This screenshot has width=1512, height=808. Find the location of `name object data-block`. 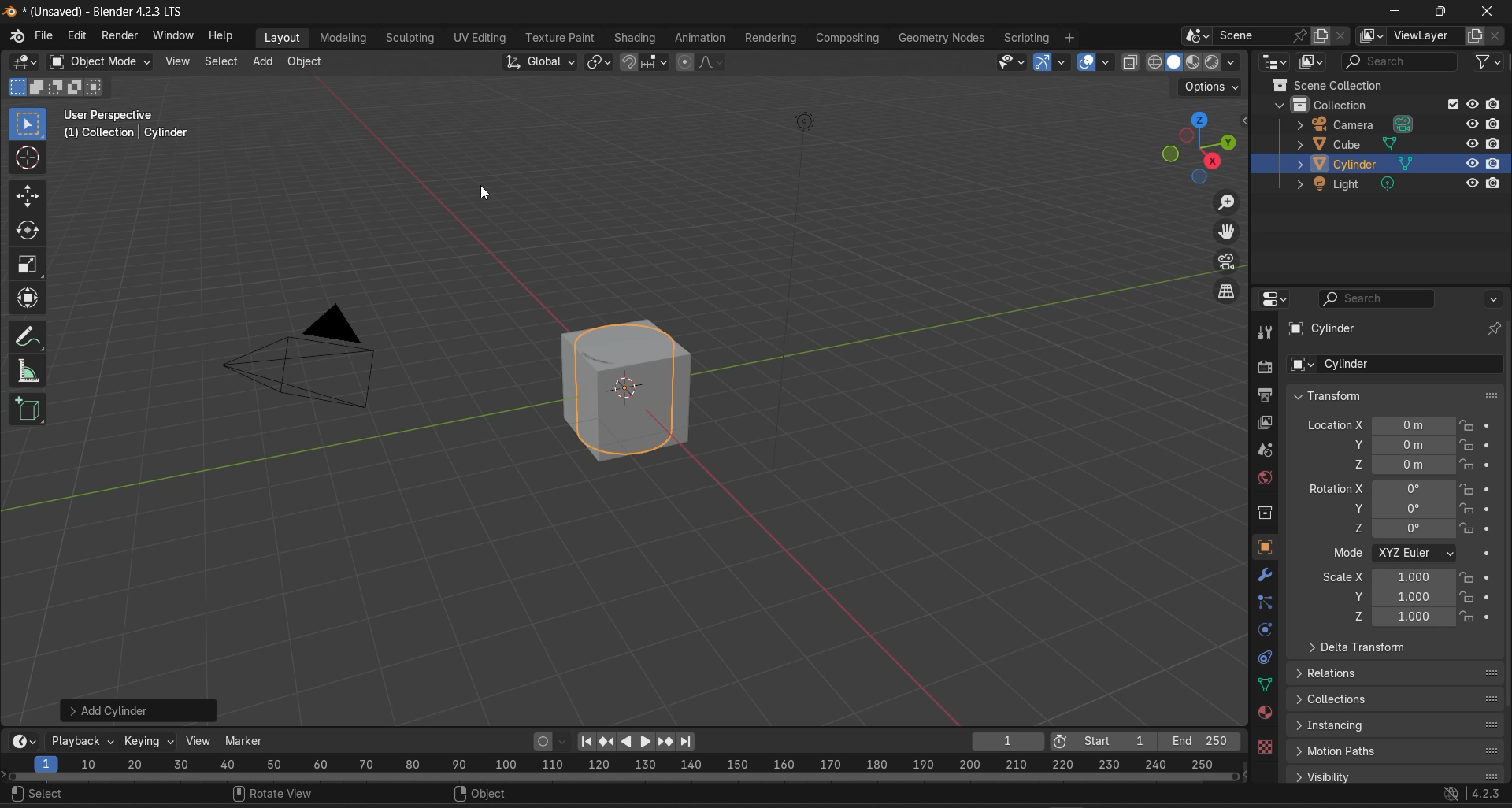

name object data-block is located at coordinates (1410, 364).